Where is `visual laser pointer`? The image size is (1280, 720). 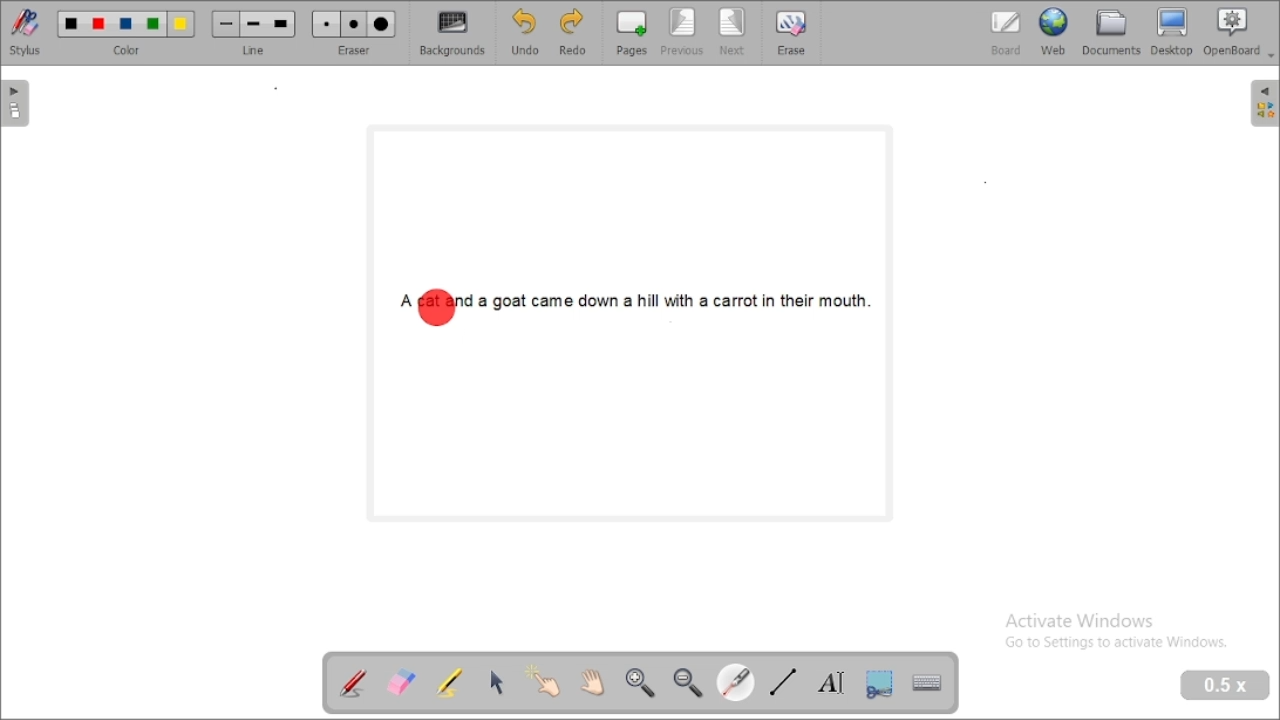 visual laser pointer is located at coordinates (735, 681).